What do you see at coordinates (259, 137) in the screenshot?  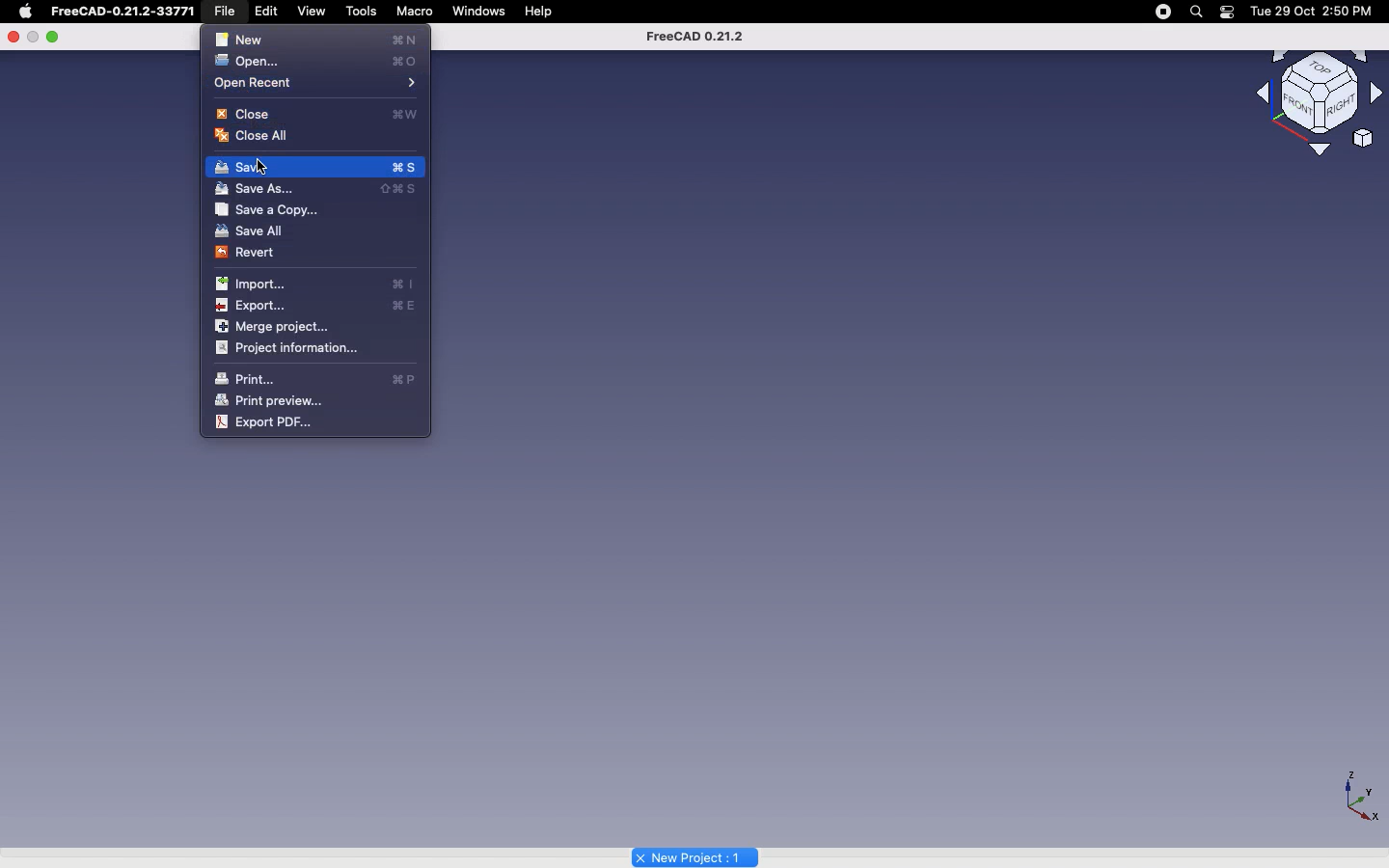 I see `Close all` at bounding box center [259, 137].